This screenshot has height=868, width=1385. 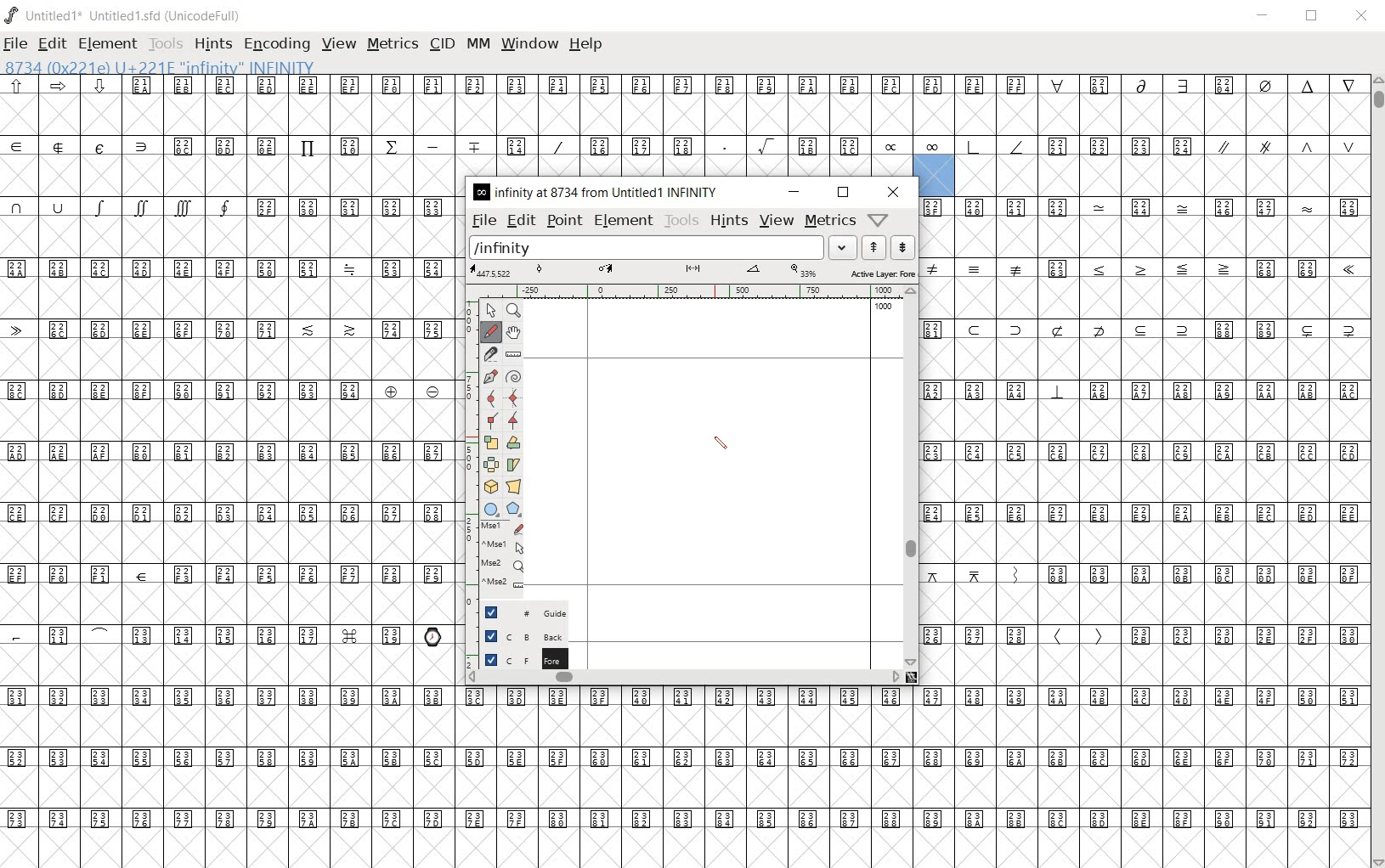 I want to click on empty glyph slots, so click(x=228, y=176).